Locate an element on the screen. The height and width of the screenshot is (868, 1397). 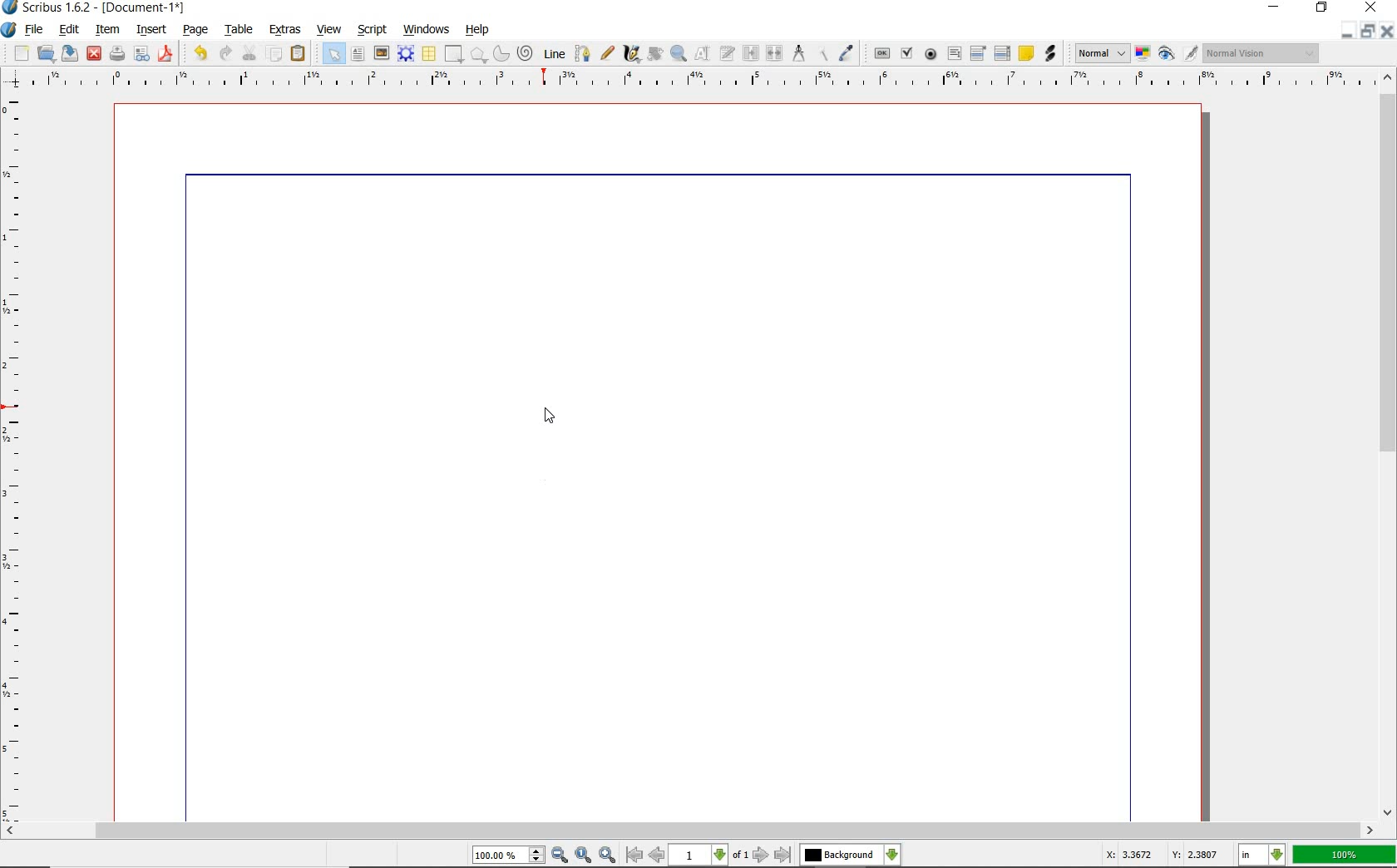
redo is located at coordinates (225, 54).